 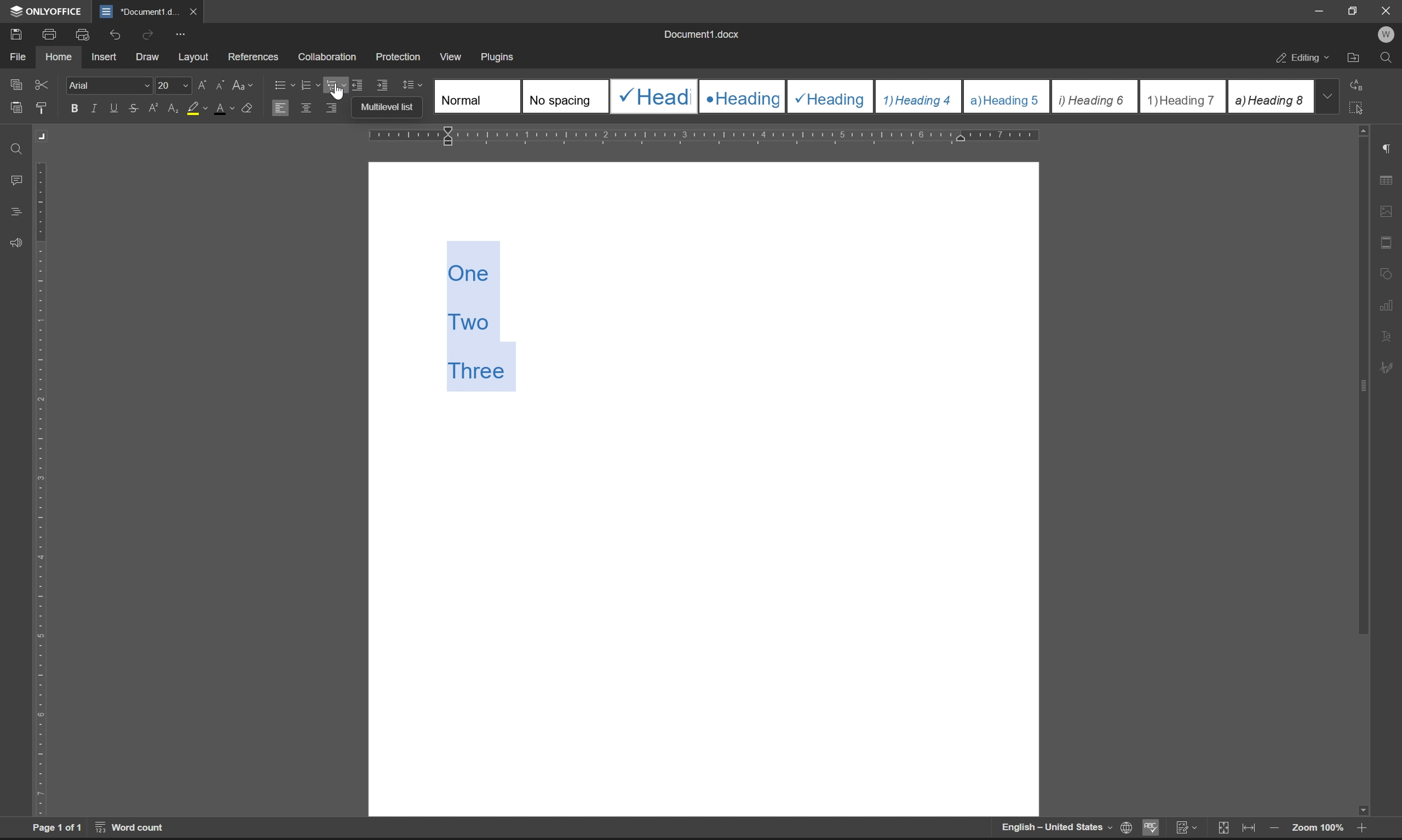 What do you see at coordinates (150, 34) in the screenshot?
I see `redo` at bounding box center [150, 34].